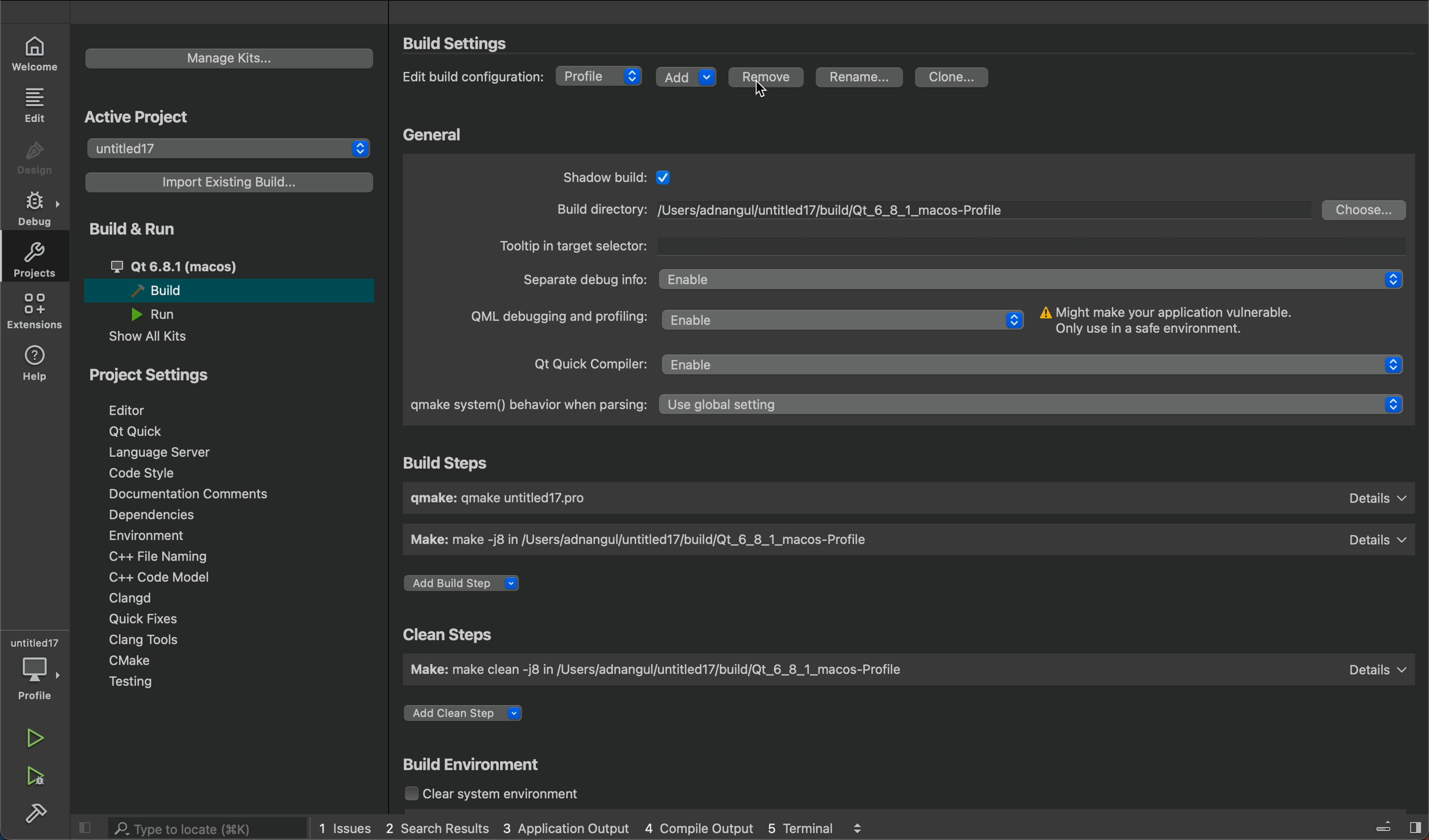 The image size is (1429, 840). I want to click on clangd, so click(141, 598).